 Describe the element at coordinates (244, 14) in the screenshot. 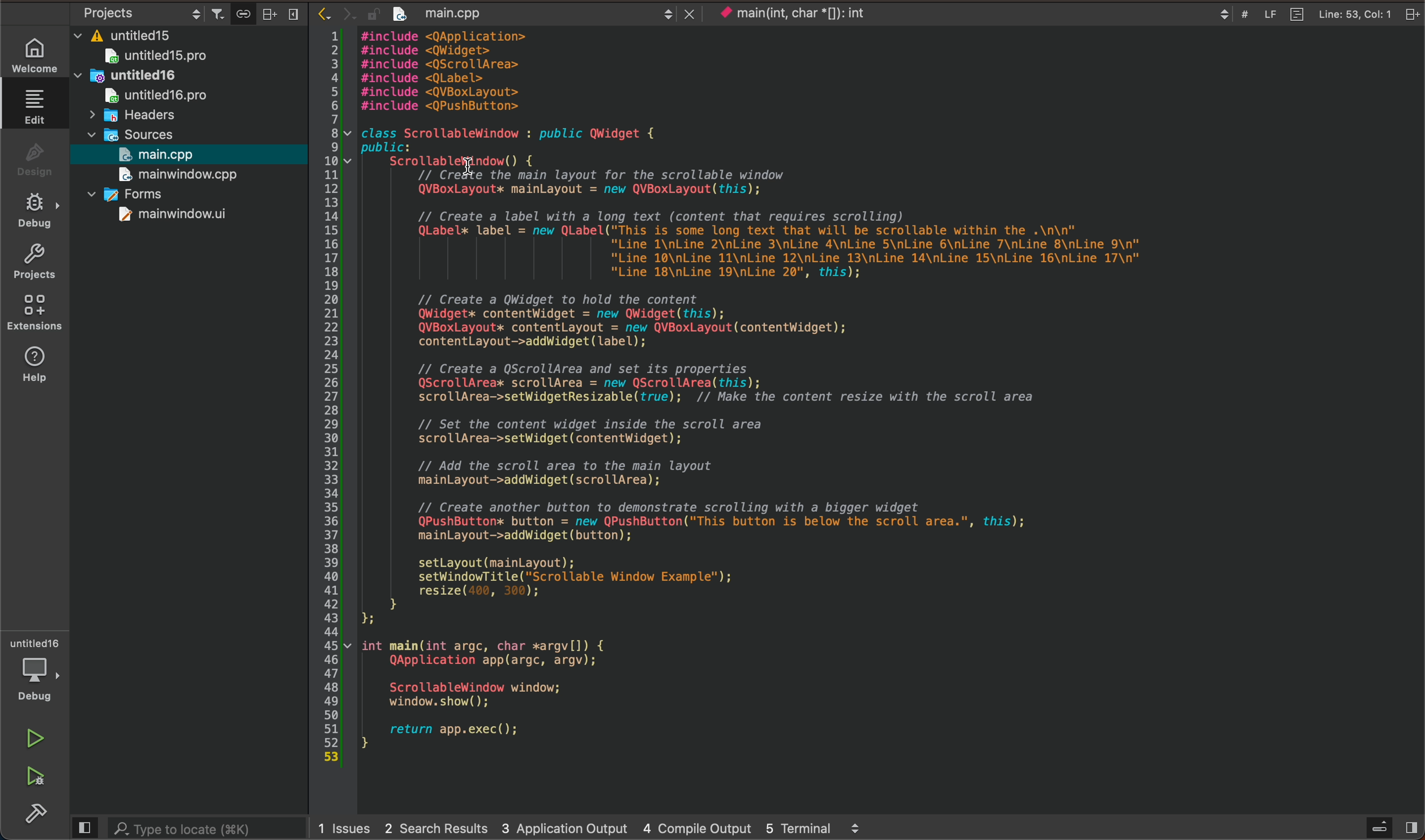

I see `` at that location.